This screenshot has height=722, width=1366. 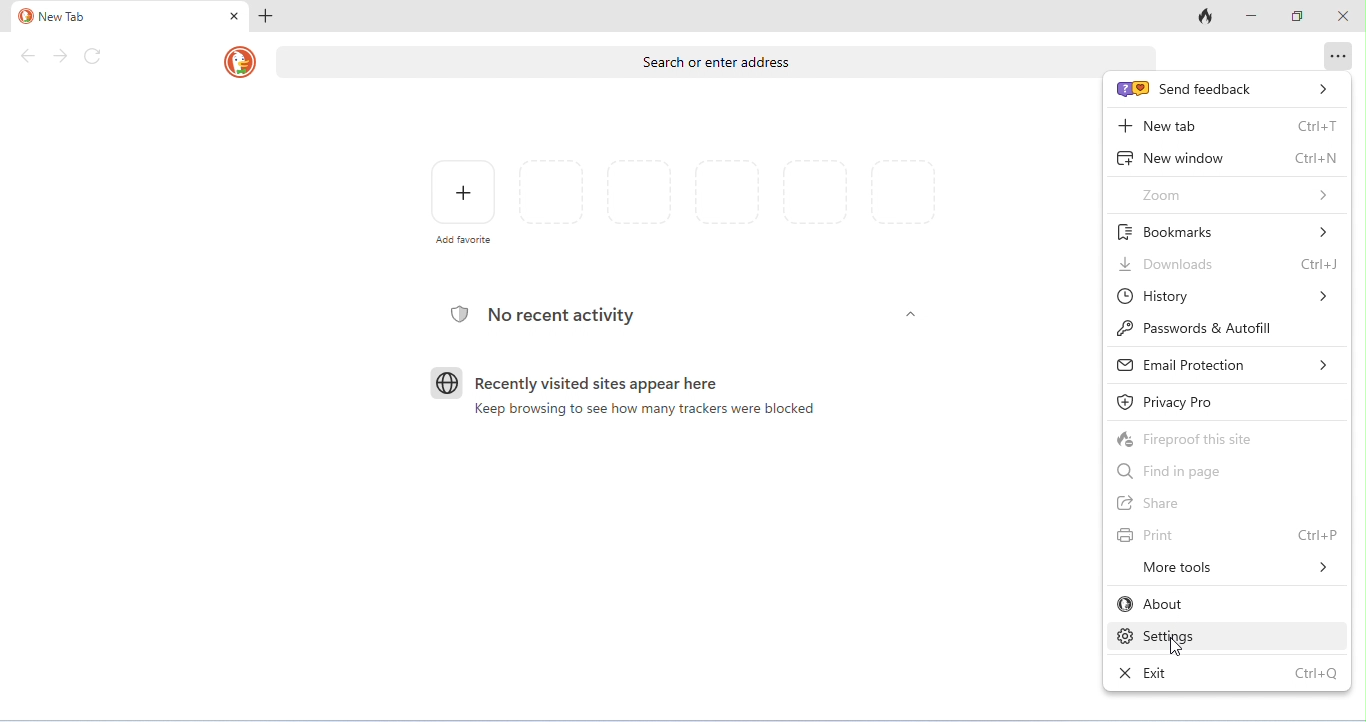 I want to click on print, so click(x=1228, y=535).